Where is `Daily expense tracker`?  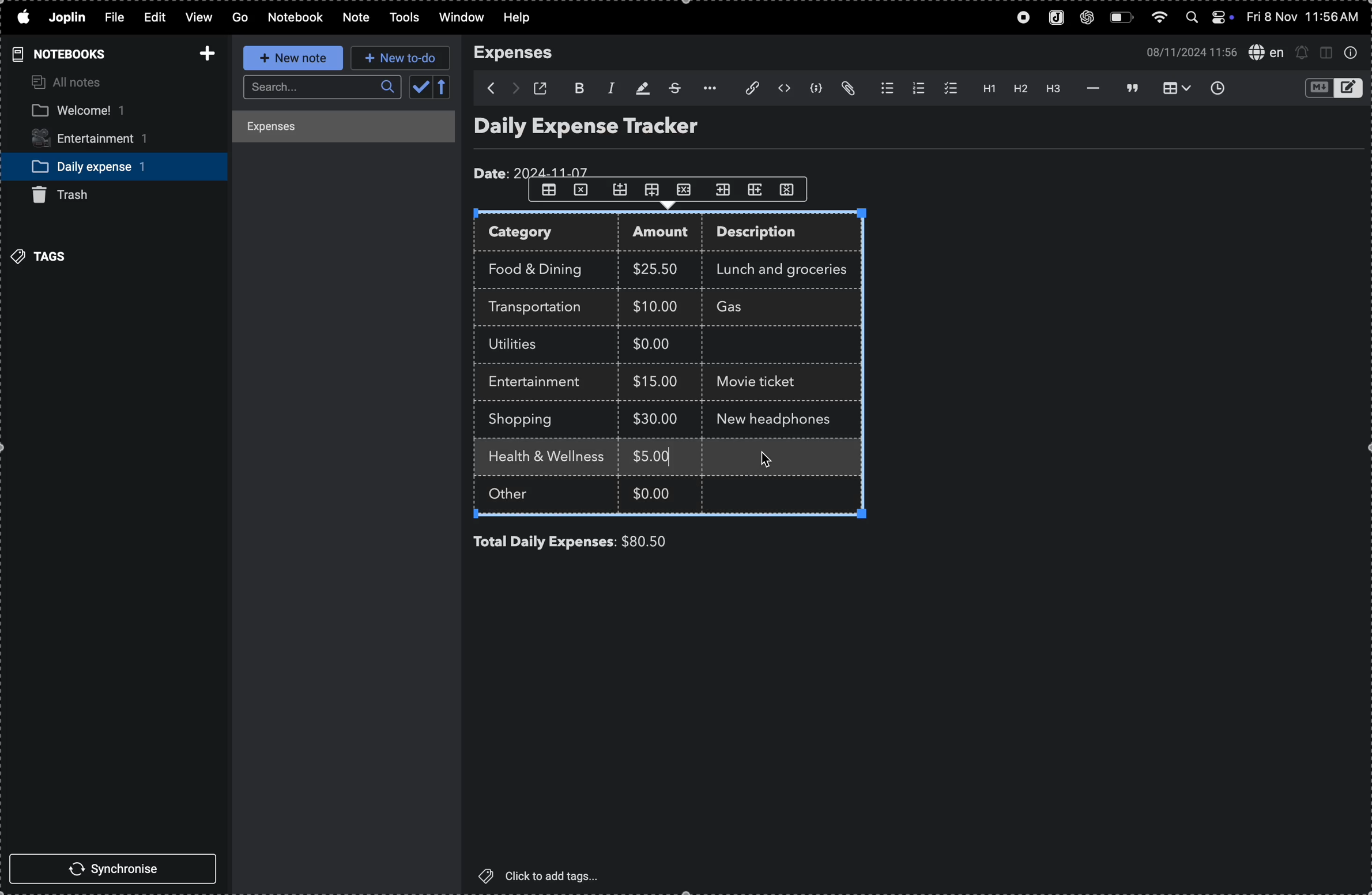 Daily expense tracker is located at coordinates (608, 129).